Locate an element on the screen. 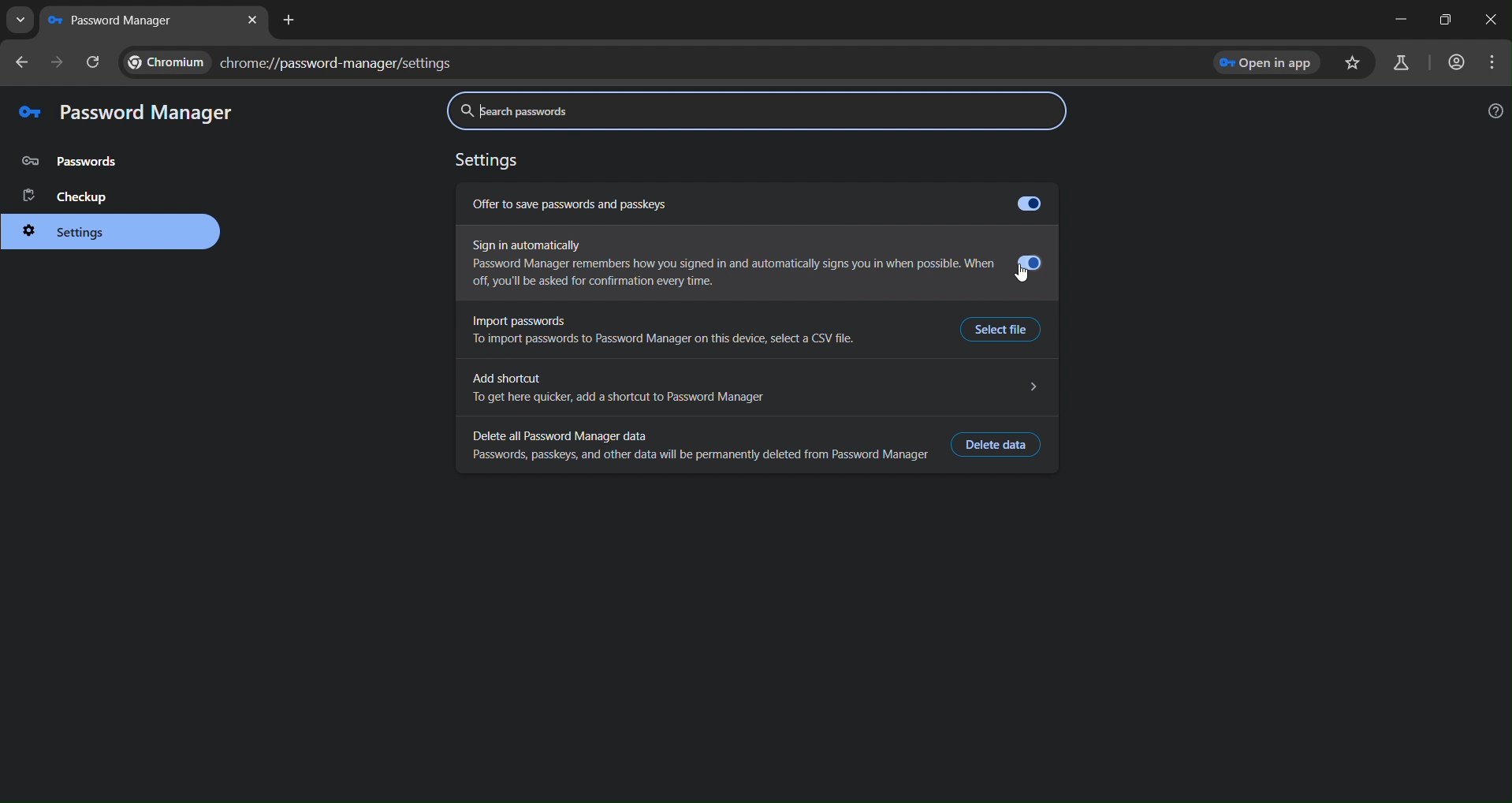 The height and width of the screenshot is (803, 1512). open in app is located at coordinates (1270, 62).